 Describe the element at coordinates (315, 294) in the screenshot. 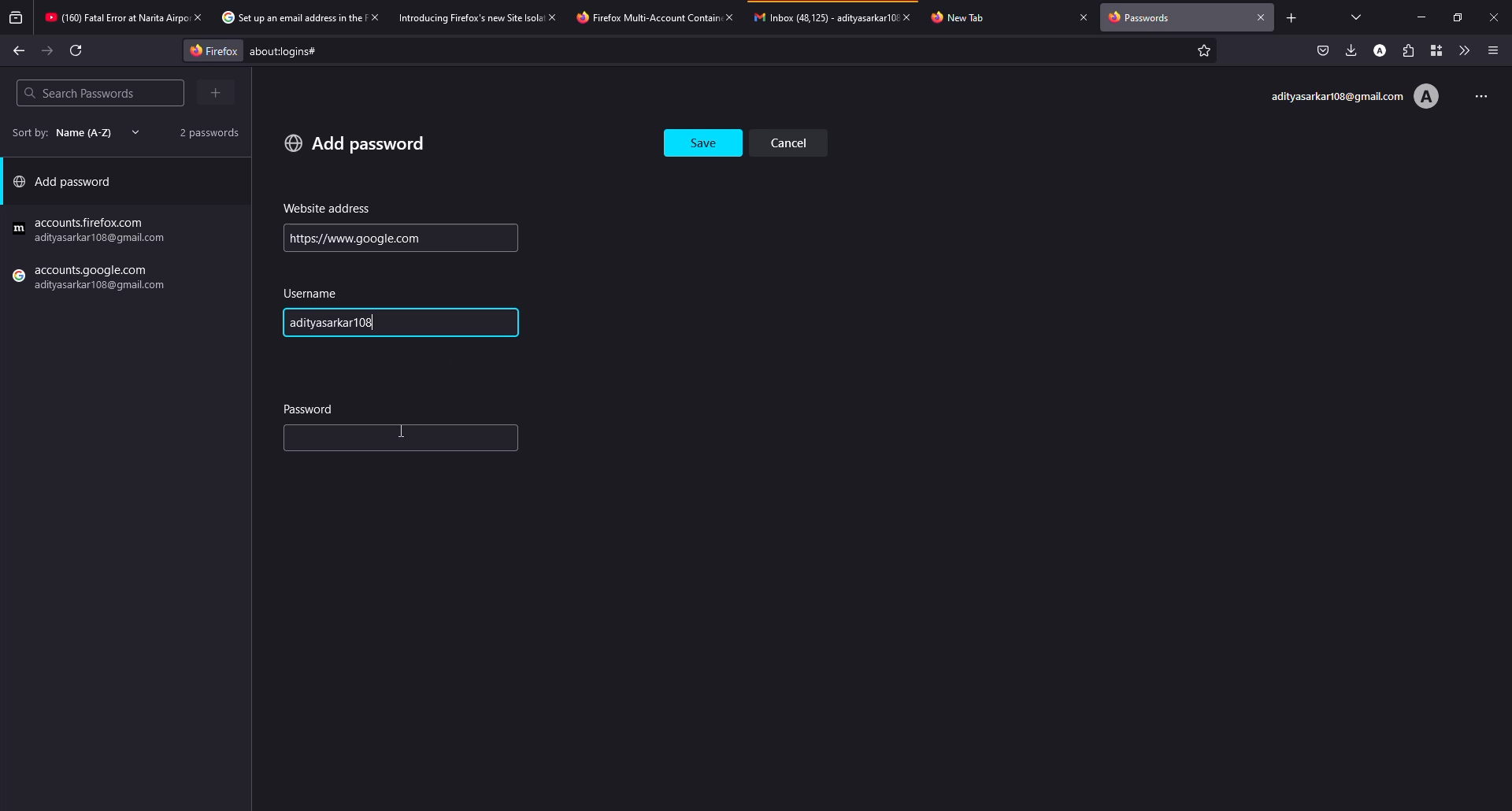

I see `userame` at that location.